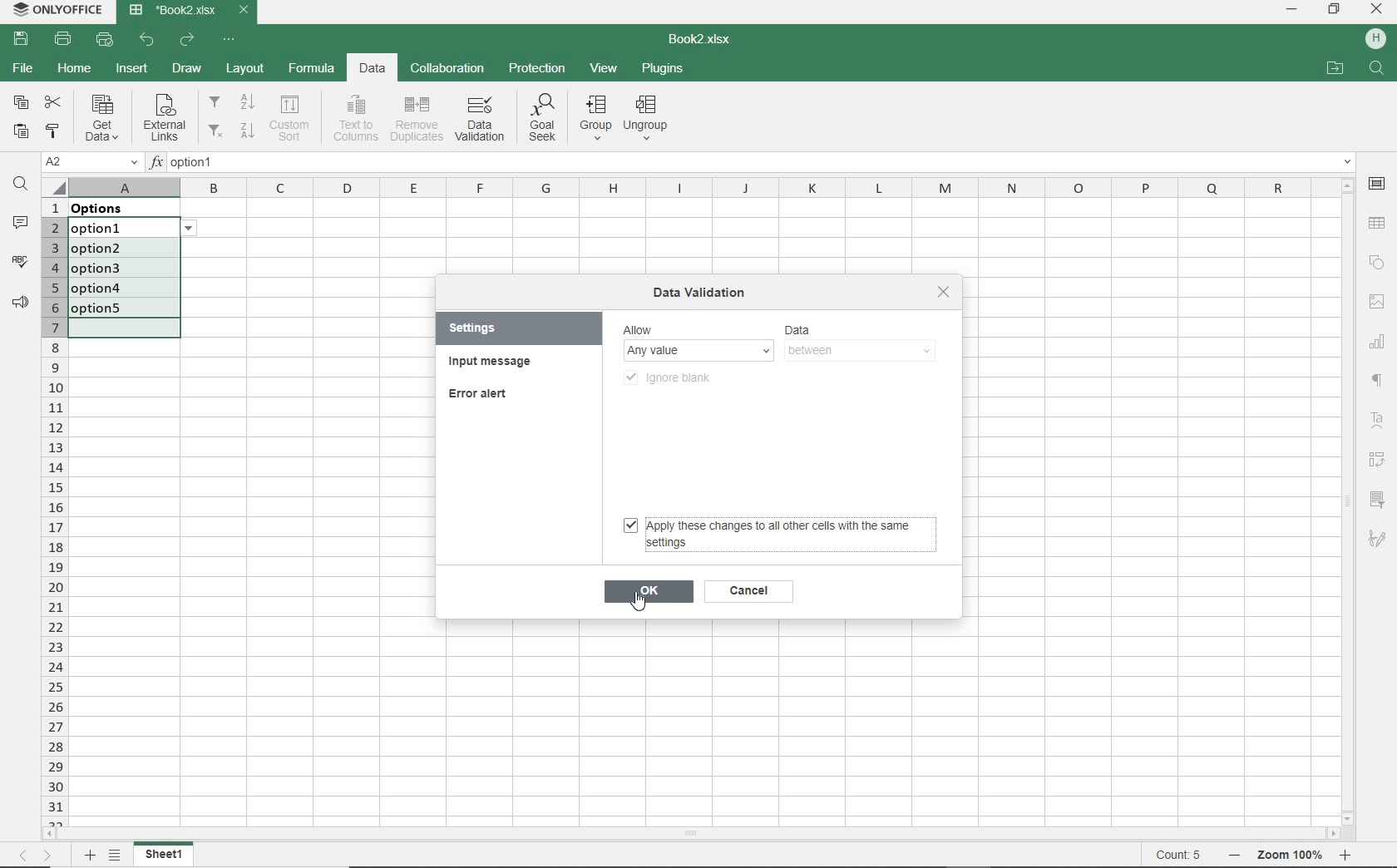  I want to click on SETTINGS, so click(487, 328).